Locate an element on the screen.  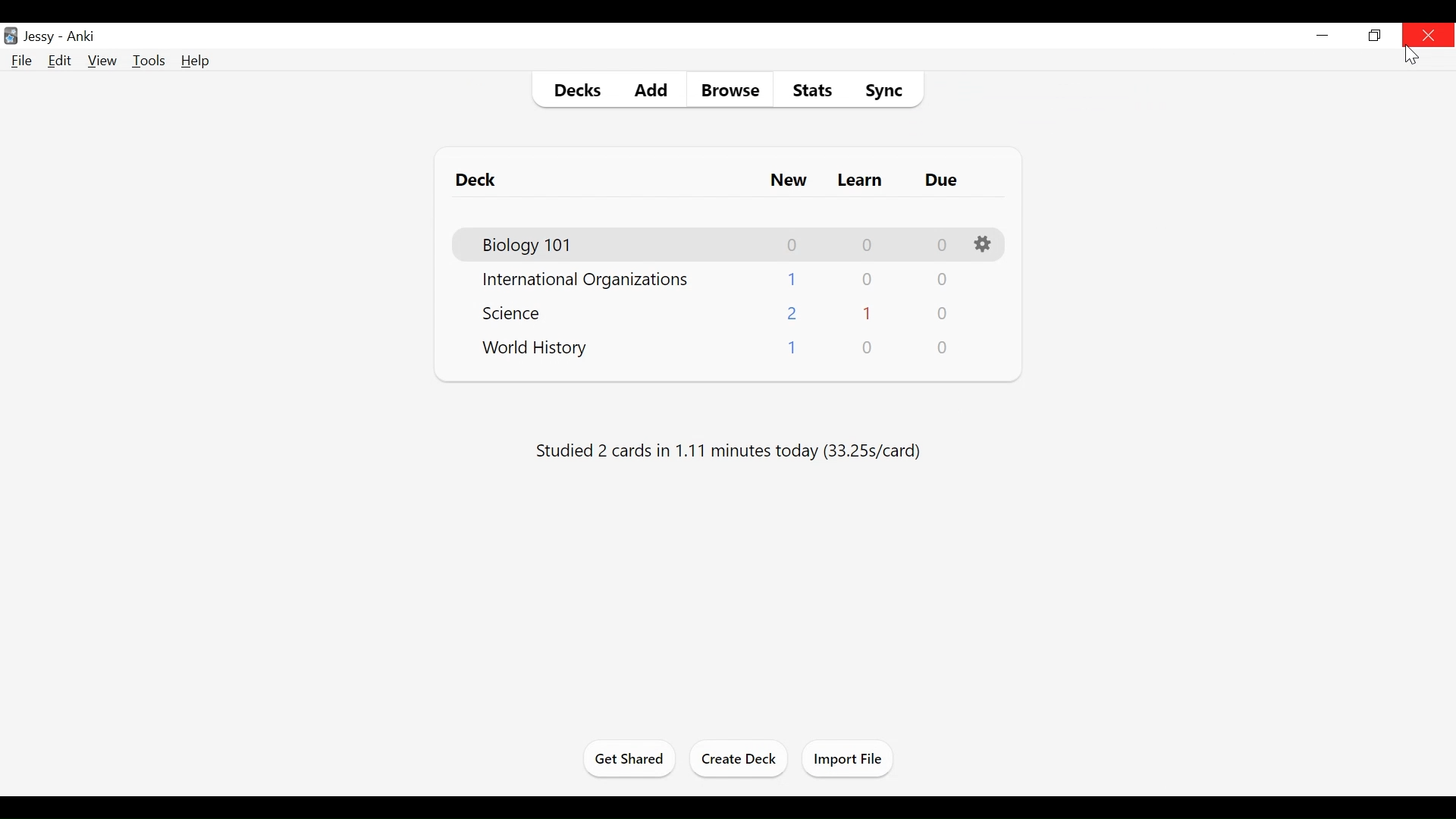
Anki Desktop icon is located at coordinates (11, 36).